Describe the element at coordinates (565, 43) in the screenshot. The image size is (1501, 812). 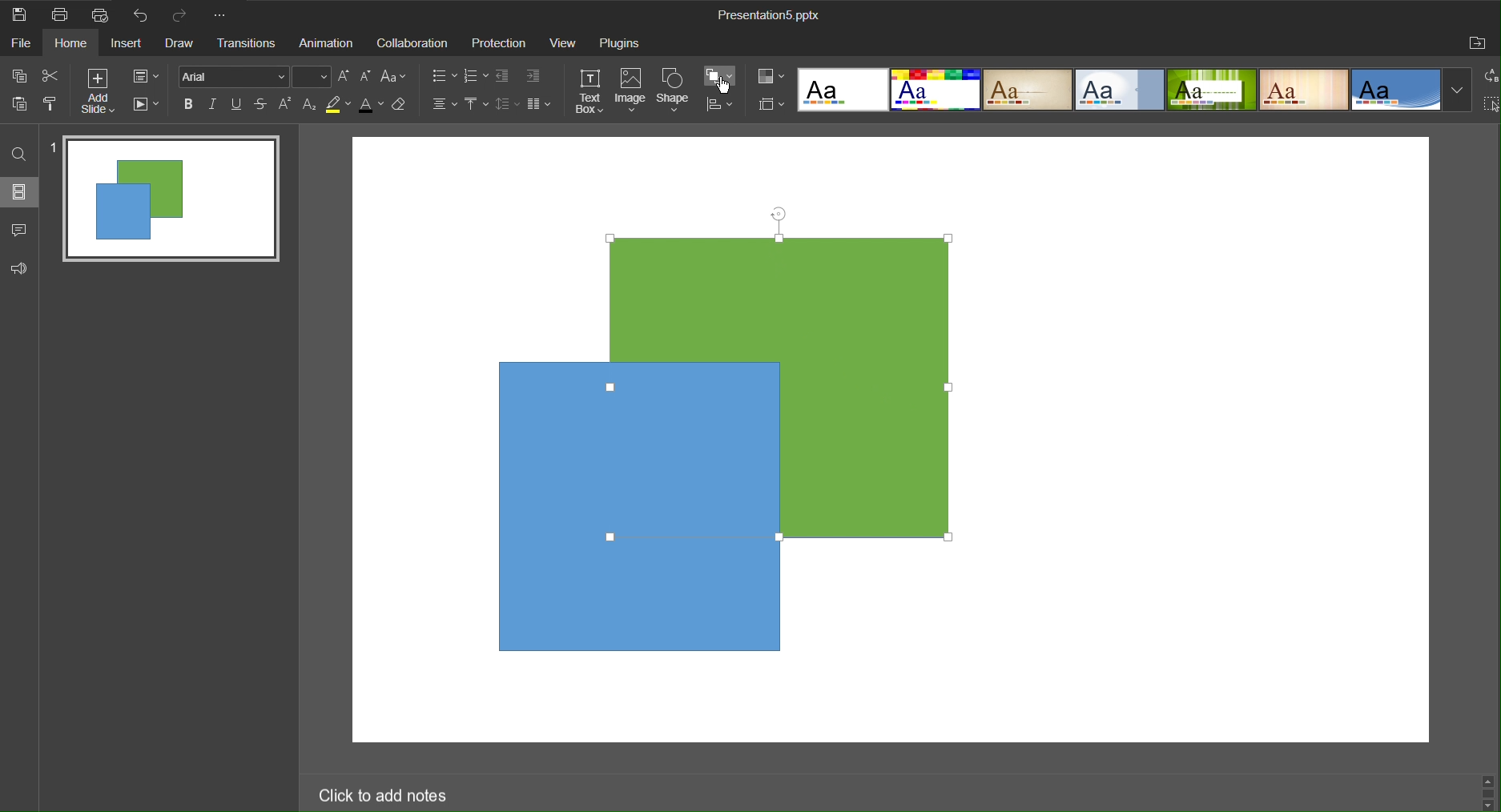
I see `View` at that location.